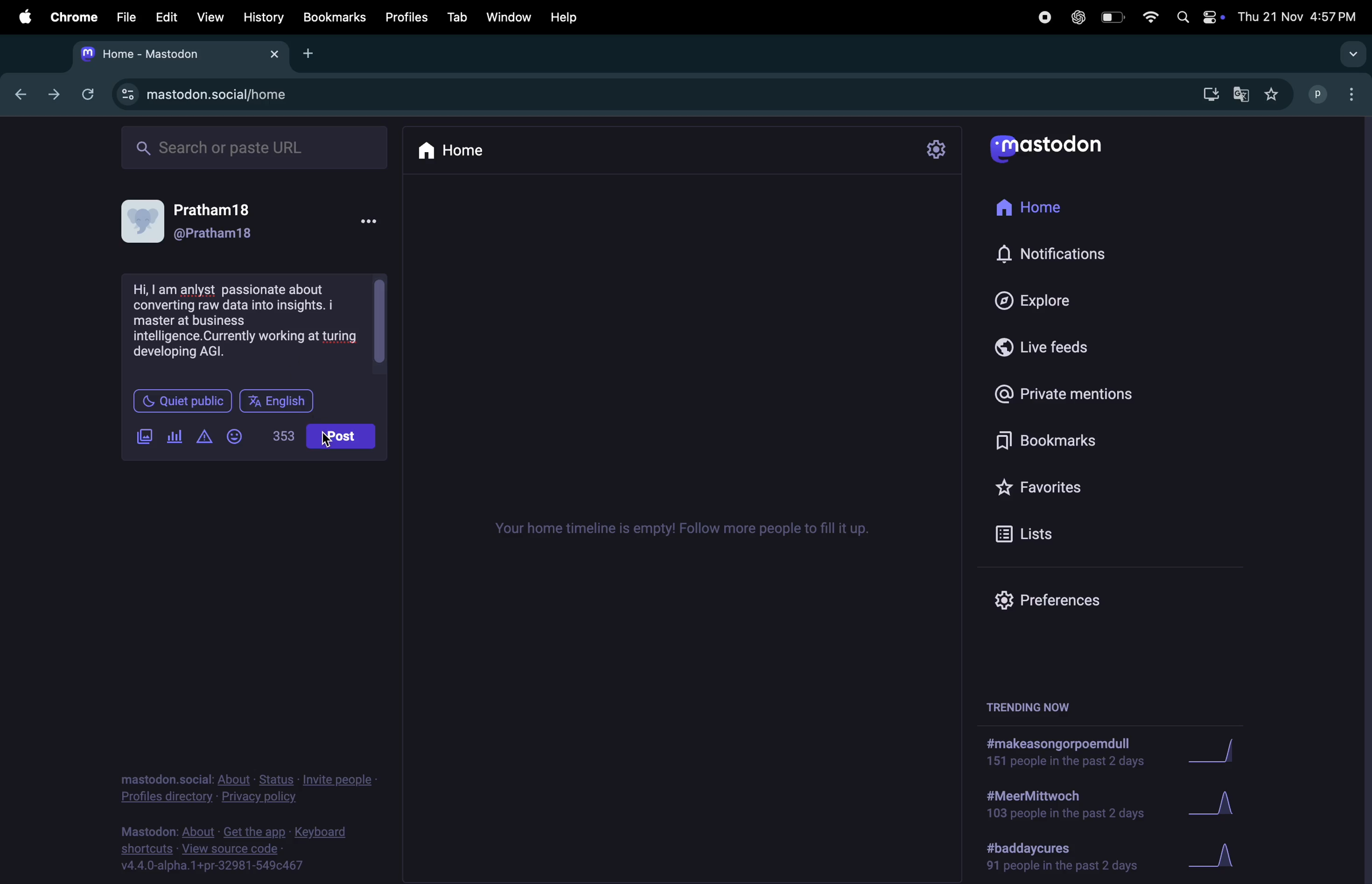  What do you see at coordinates (934, 151) in the screenshot?
I see `setting` at bounding box center [934, 151].